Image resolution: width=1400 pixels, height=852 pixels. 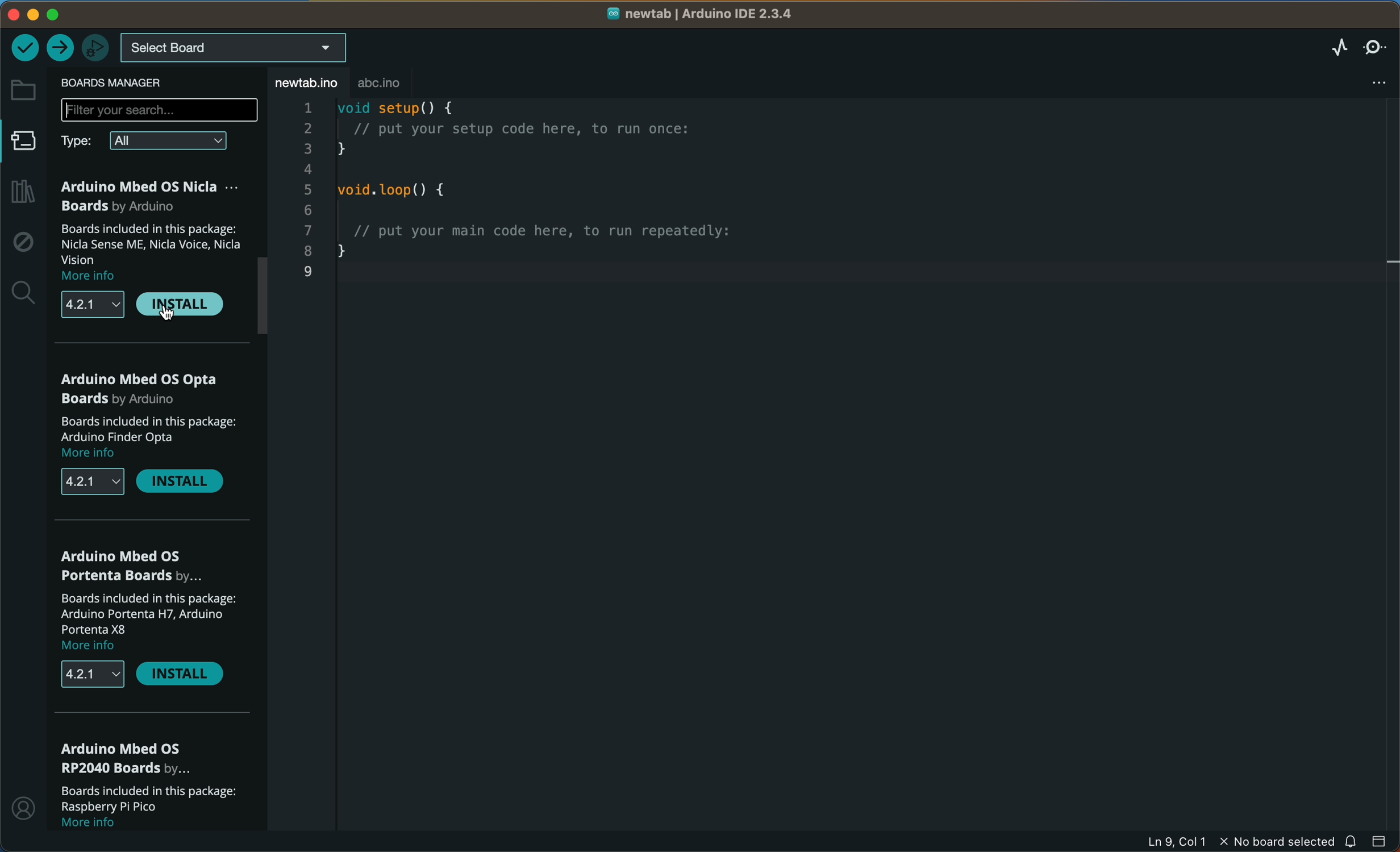 What do you see at coordinates (94, 647) in the screenshot?
I see `more info` at bounding box center [94, 647].